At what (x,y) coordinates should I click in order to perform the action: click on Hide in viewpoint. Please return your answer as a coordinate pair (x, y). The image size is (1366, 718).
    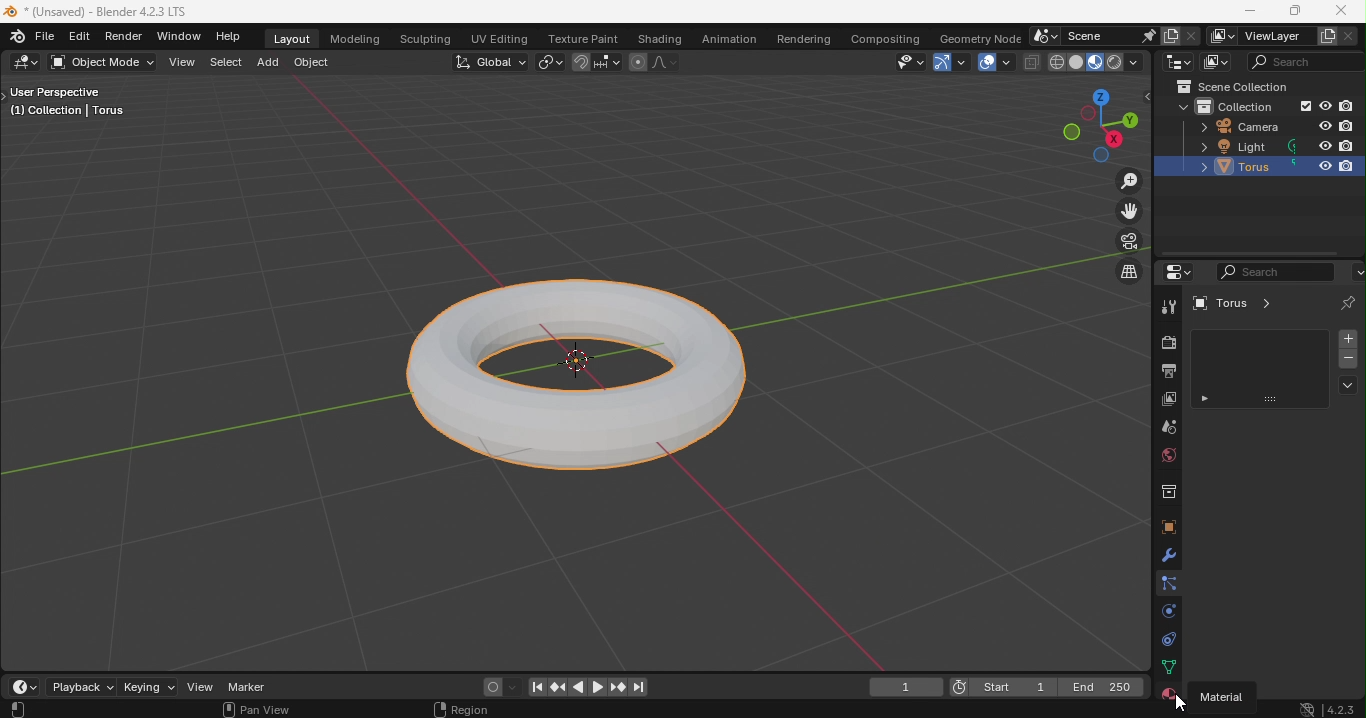
    Looking at the image, I should click on (1321, 166).